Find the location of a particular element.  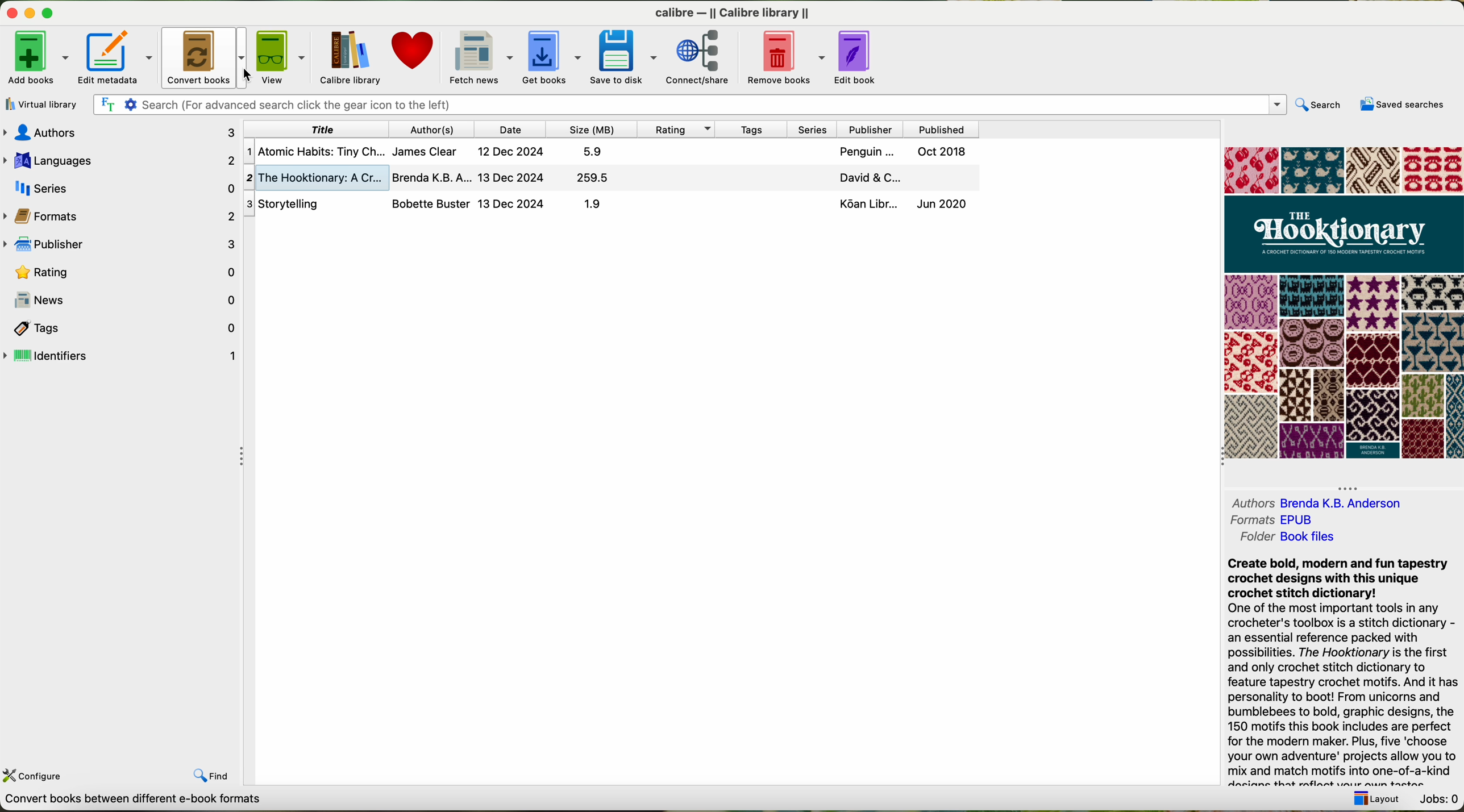

published is located at coordinates (947, 130).